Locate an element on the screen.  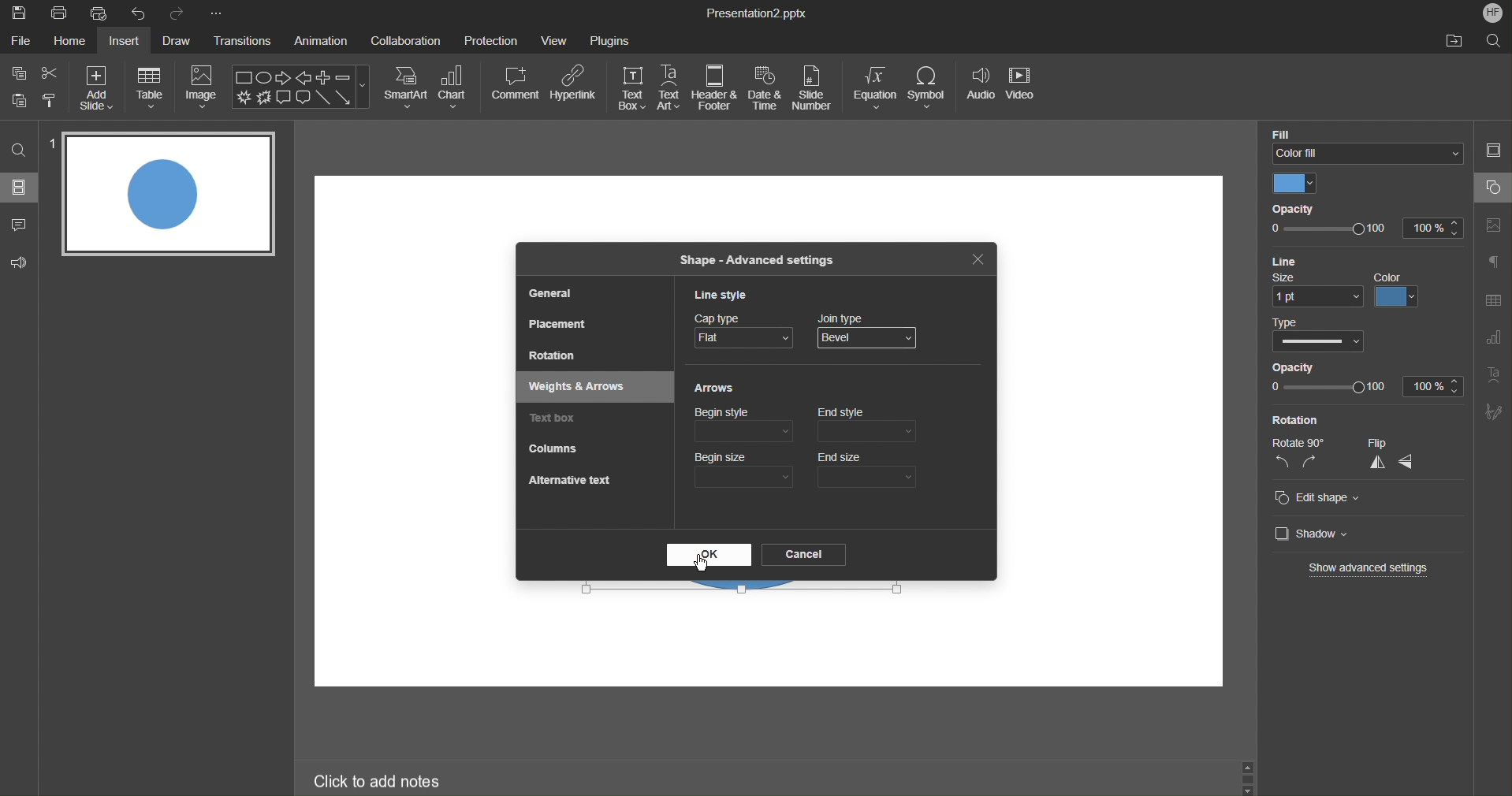
Table is located at coordinates (150, 87).